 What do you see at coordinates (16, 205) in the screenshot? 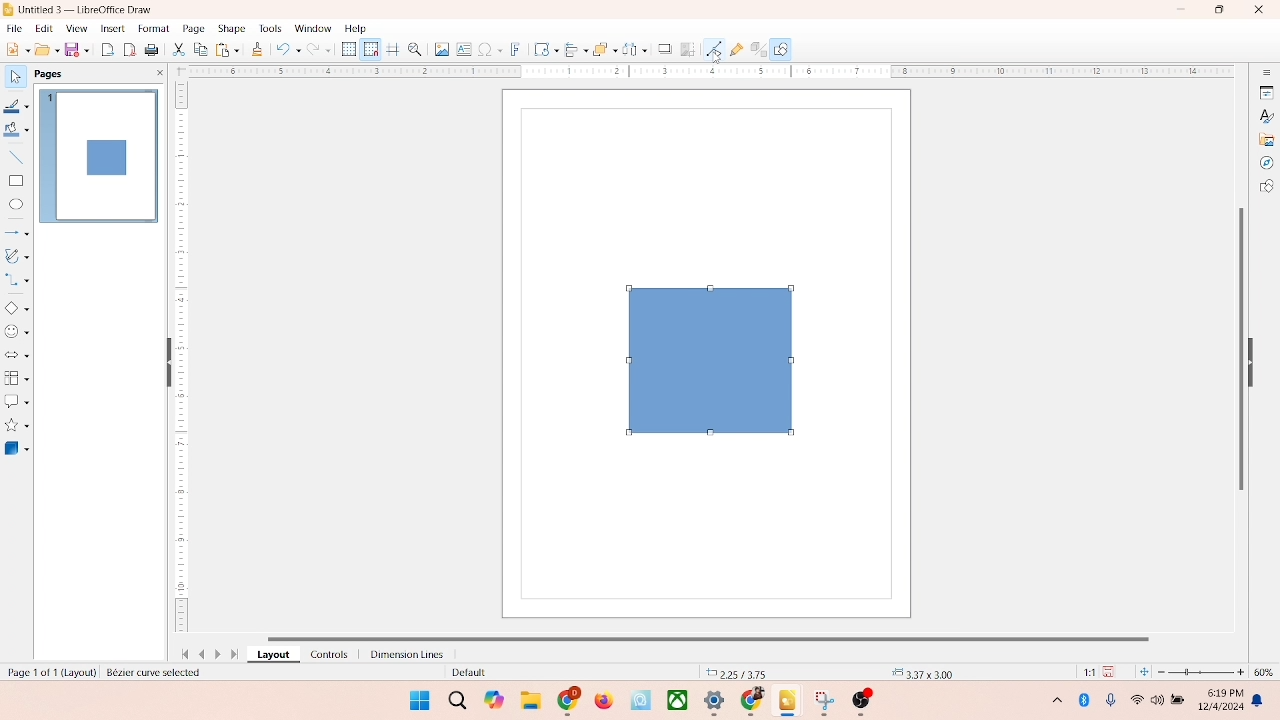
I see `ellipse` at bounding box center [16, 205].